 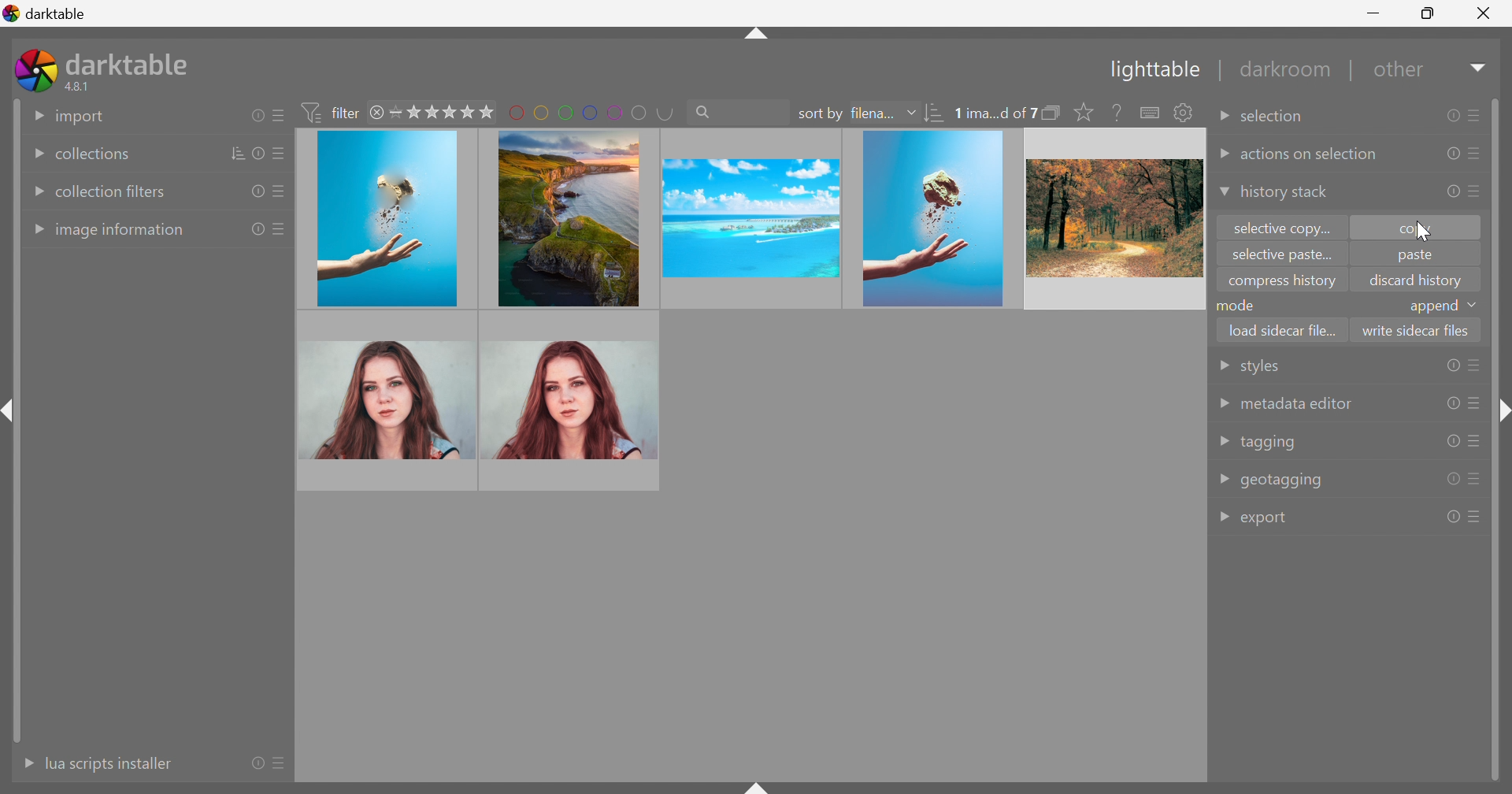 I want to click on darktable, so click(x=131, y=61).